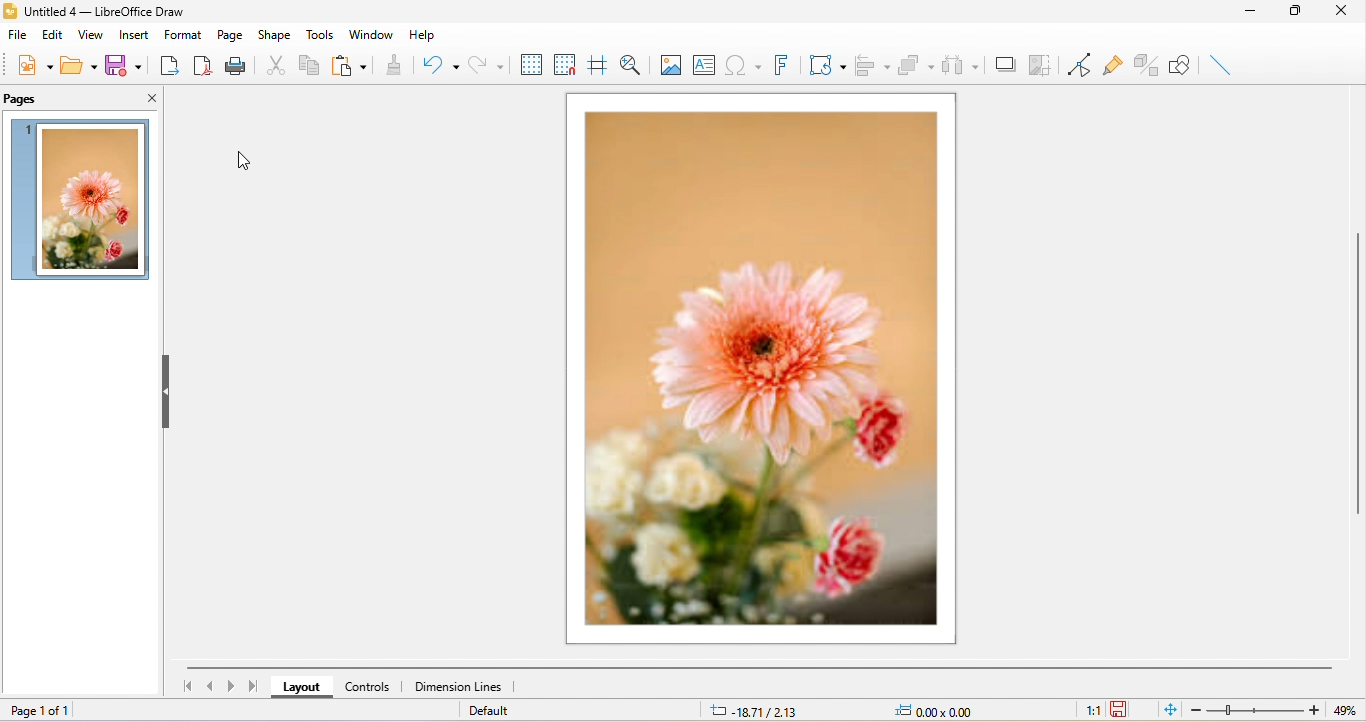 The width and height of the screenshot is (1366, 722). Describe the element at coordinates (1080, 711) in the screenshot. I see `1:1` at that location.